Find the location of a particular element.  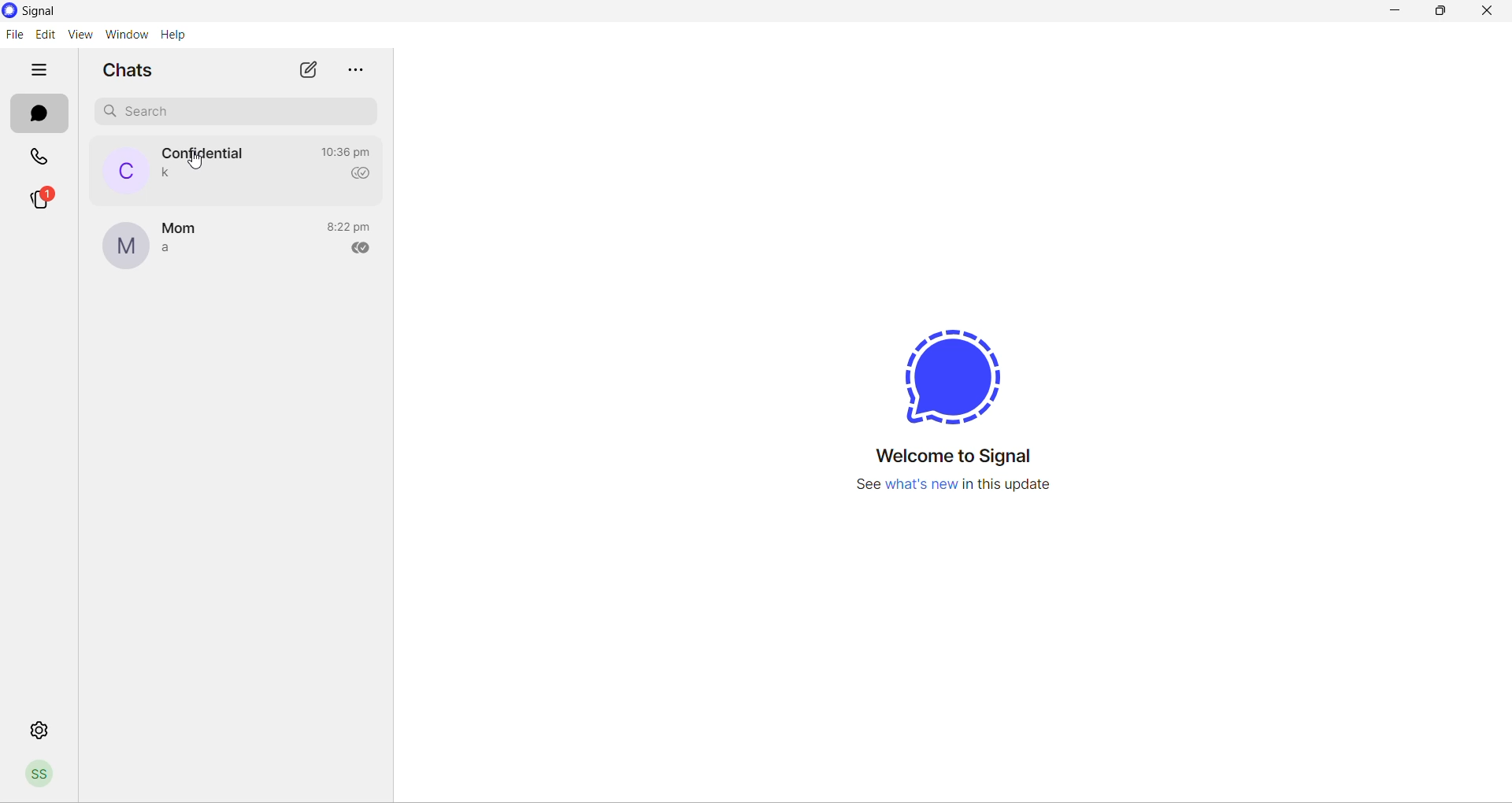

chats is located at coordinates (39, 113).